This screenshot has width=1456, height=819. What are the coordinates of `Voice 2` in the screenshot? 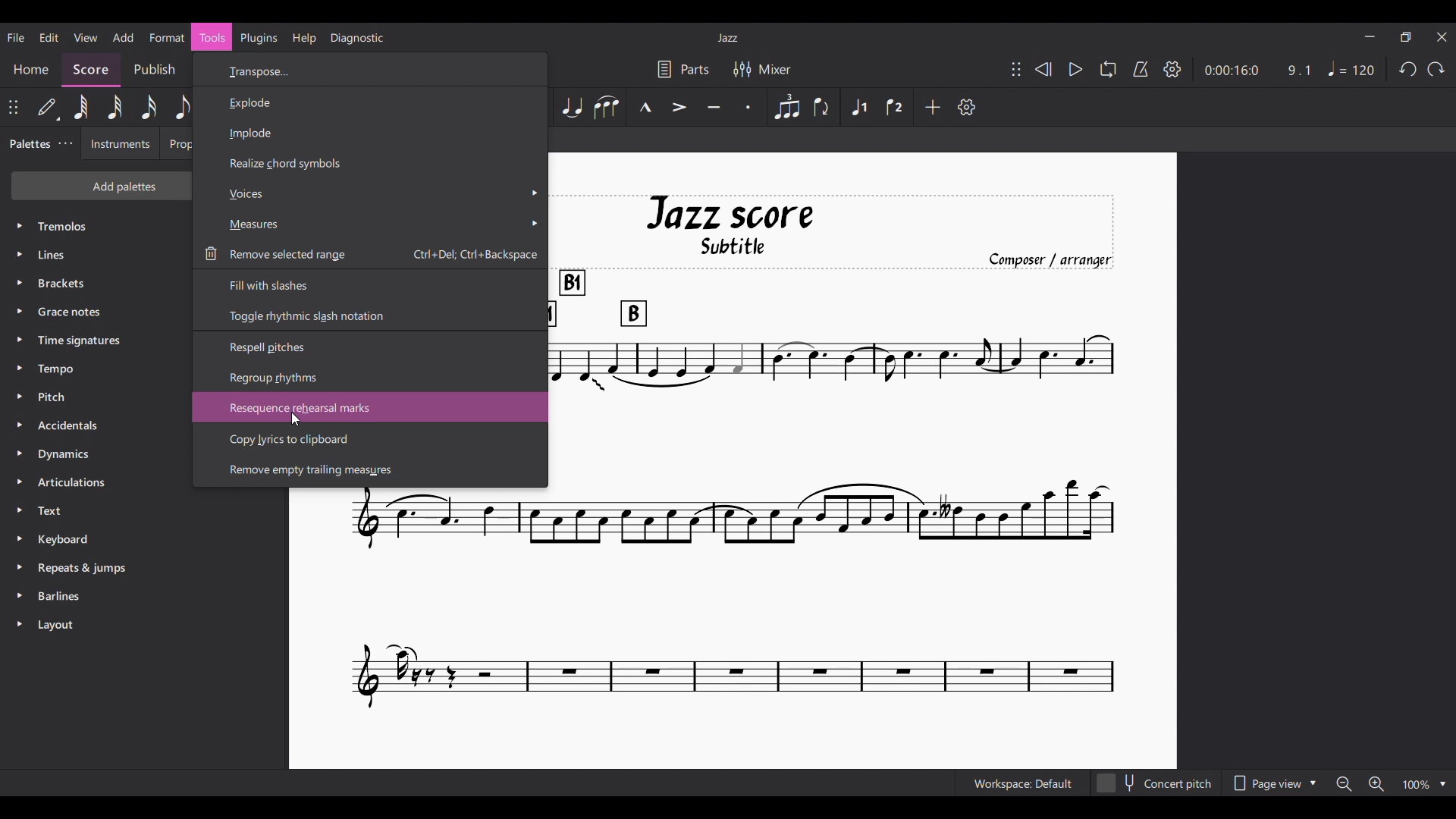 It's located at (895, 106).